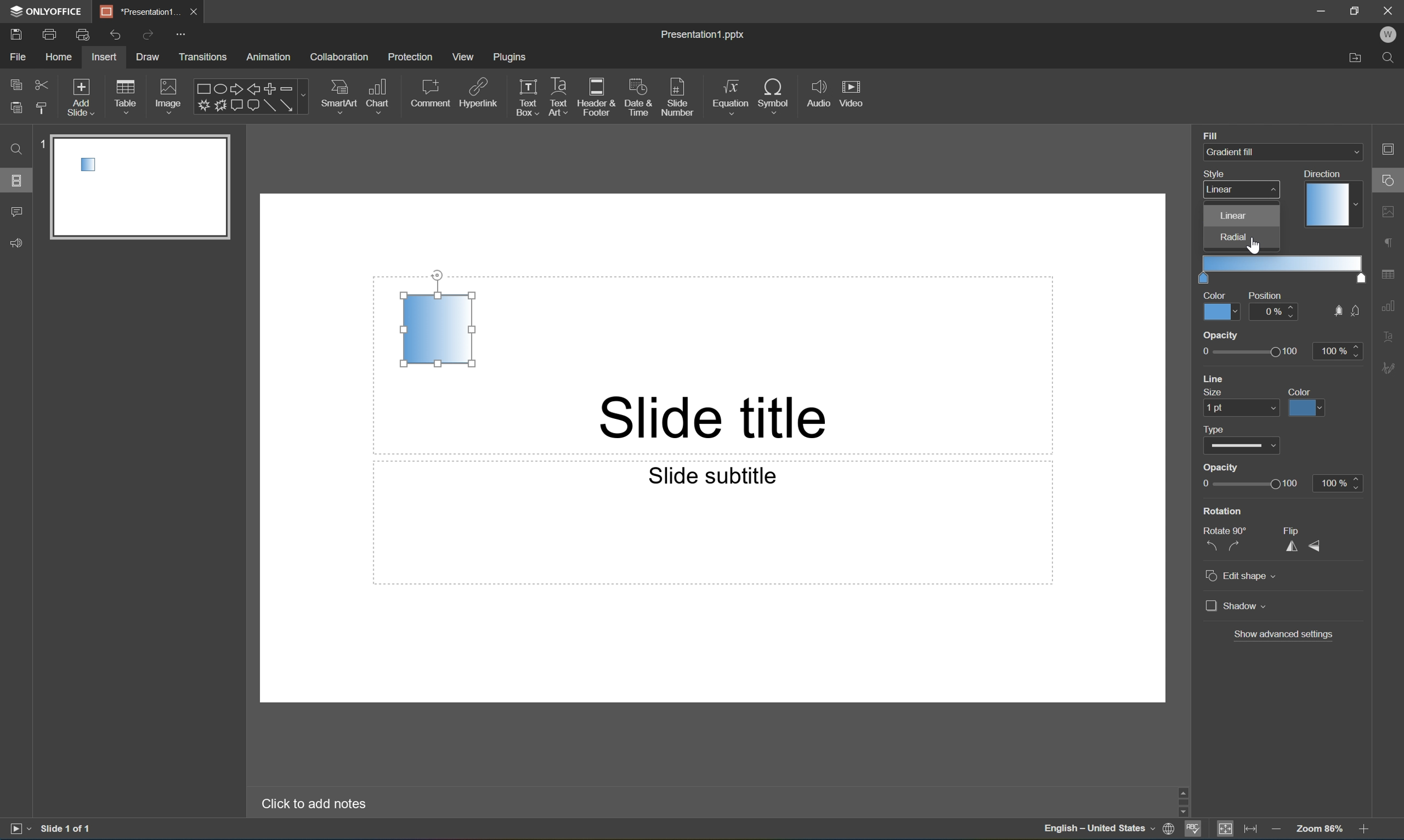  What do you see at coordinates (16, 179) in the screenshot?
I see `Slides` at bounding box center [16, 179].